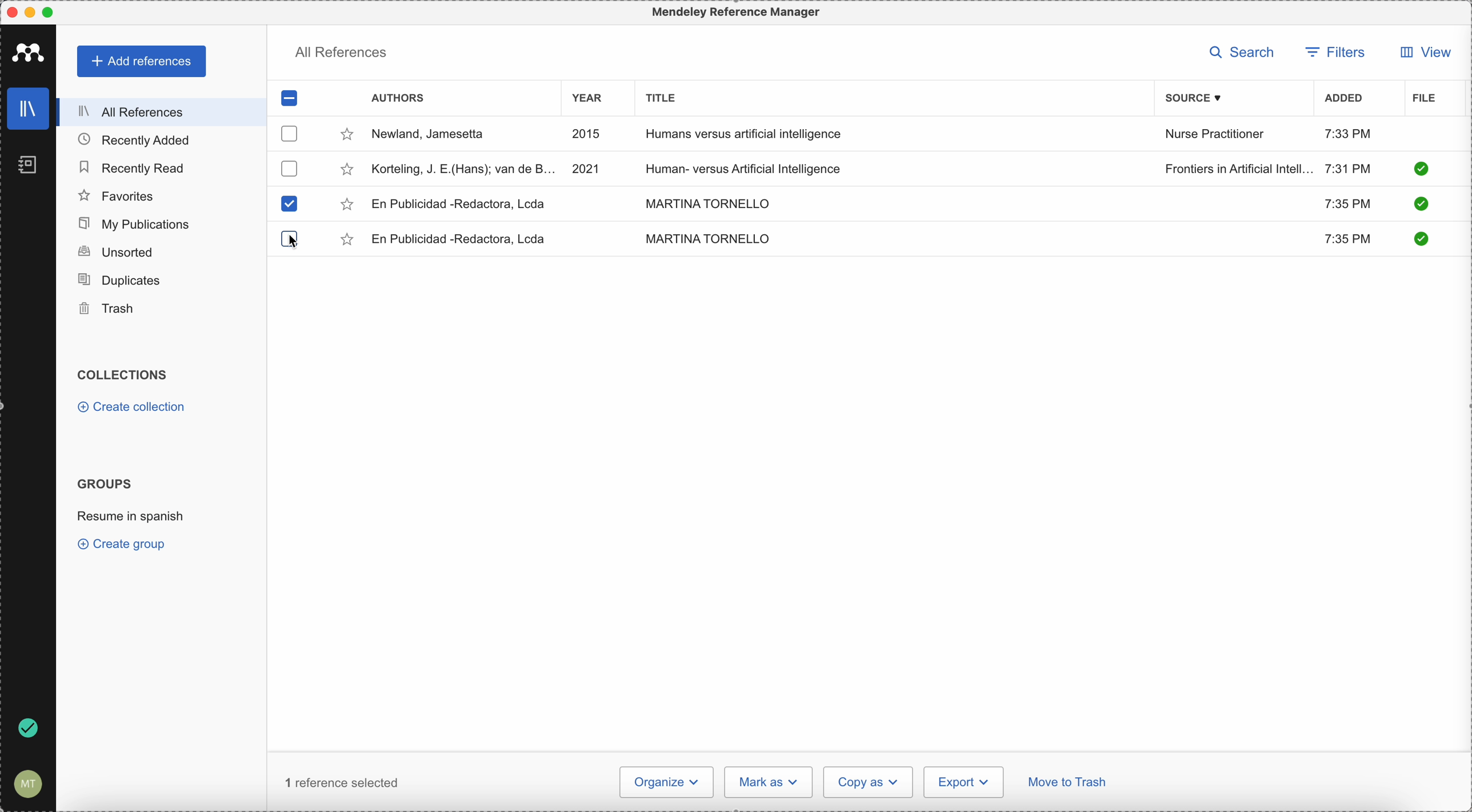 The width and height of the screenshot is (1472, 812). Describe the element at coordinates (125, 543) in the screenshot. I see `create group` at that location.